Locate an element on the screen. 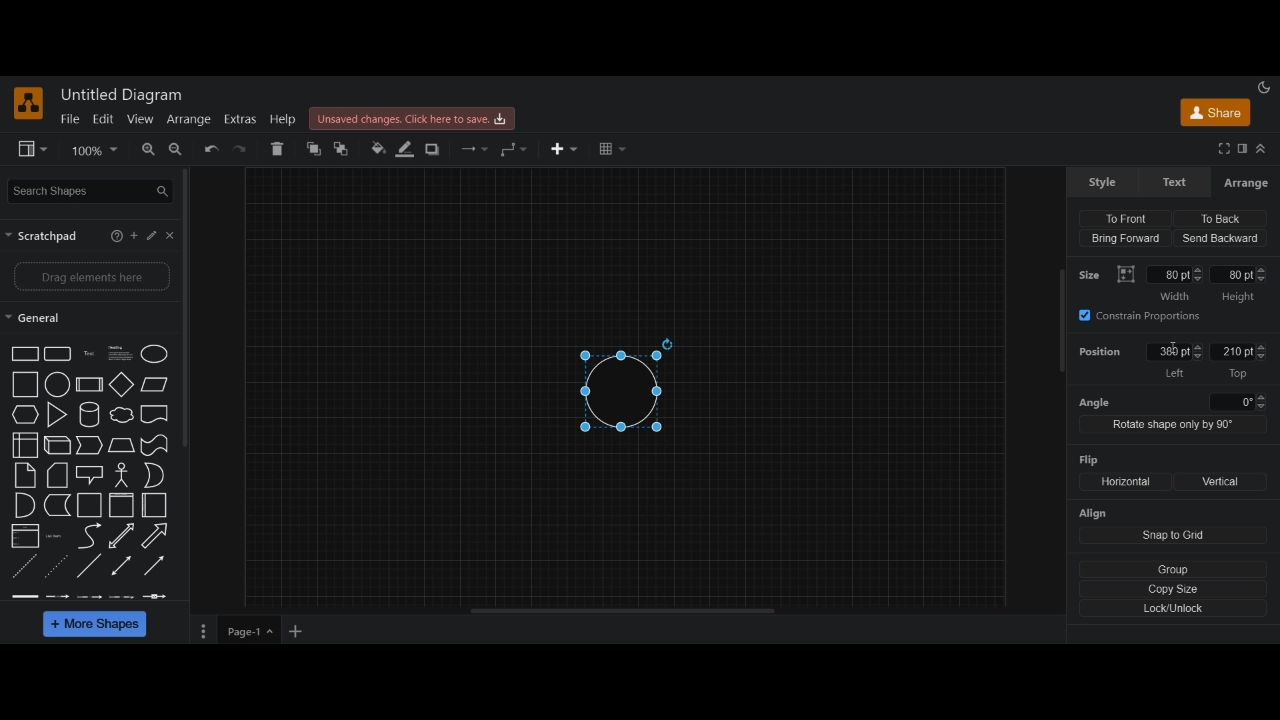 This screenshot has width=1280, height=720. Man shape is located at coordinates (122, 476).